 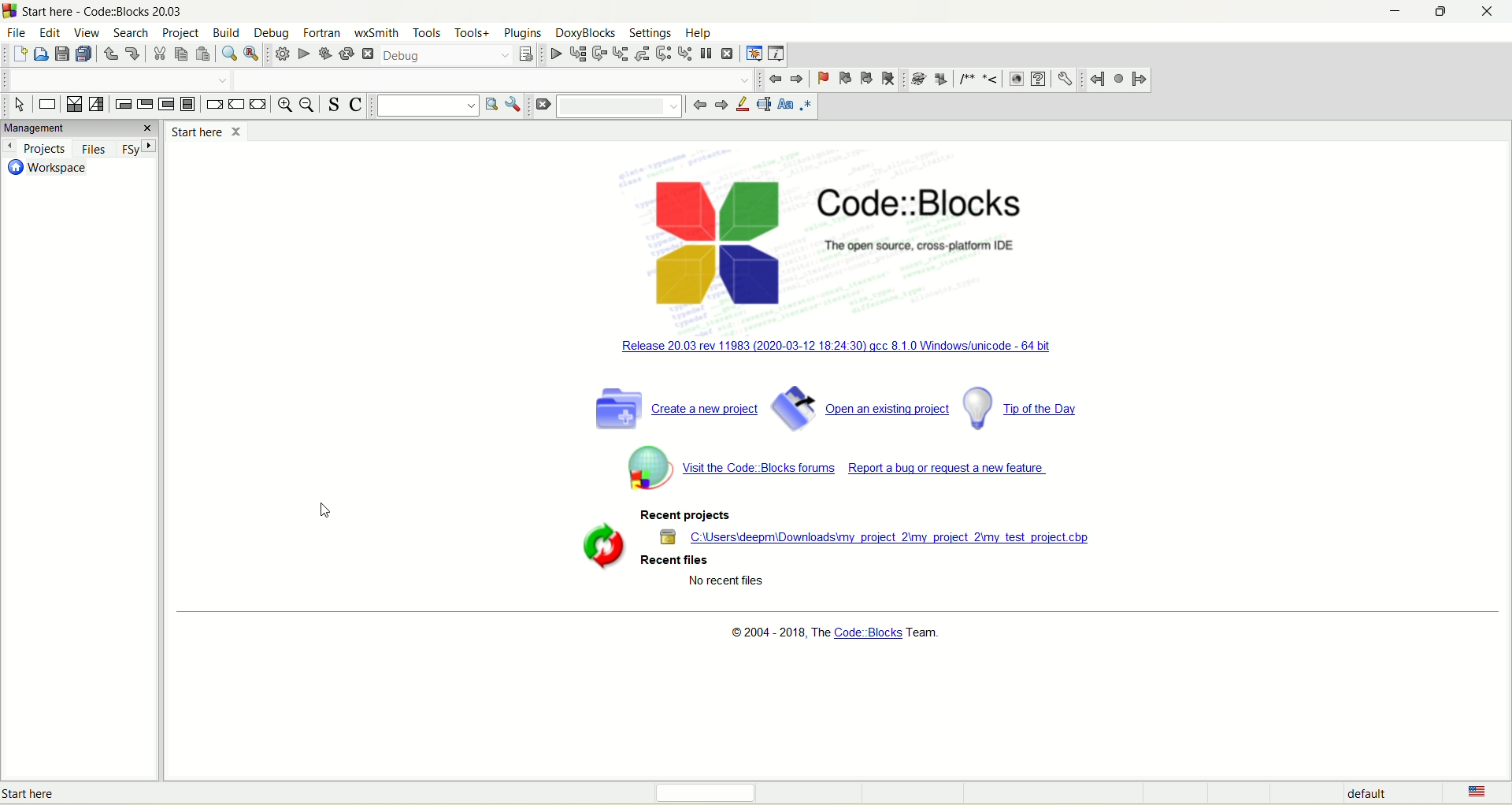 What do you see at coordinates (47, 169) in the screenshot?
I see `workspace` at bounding box center [47, 169].